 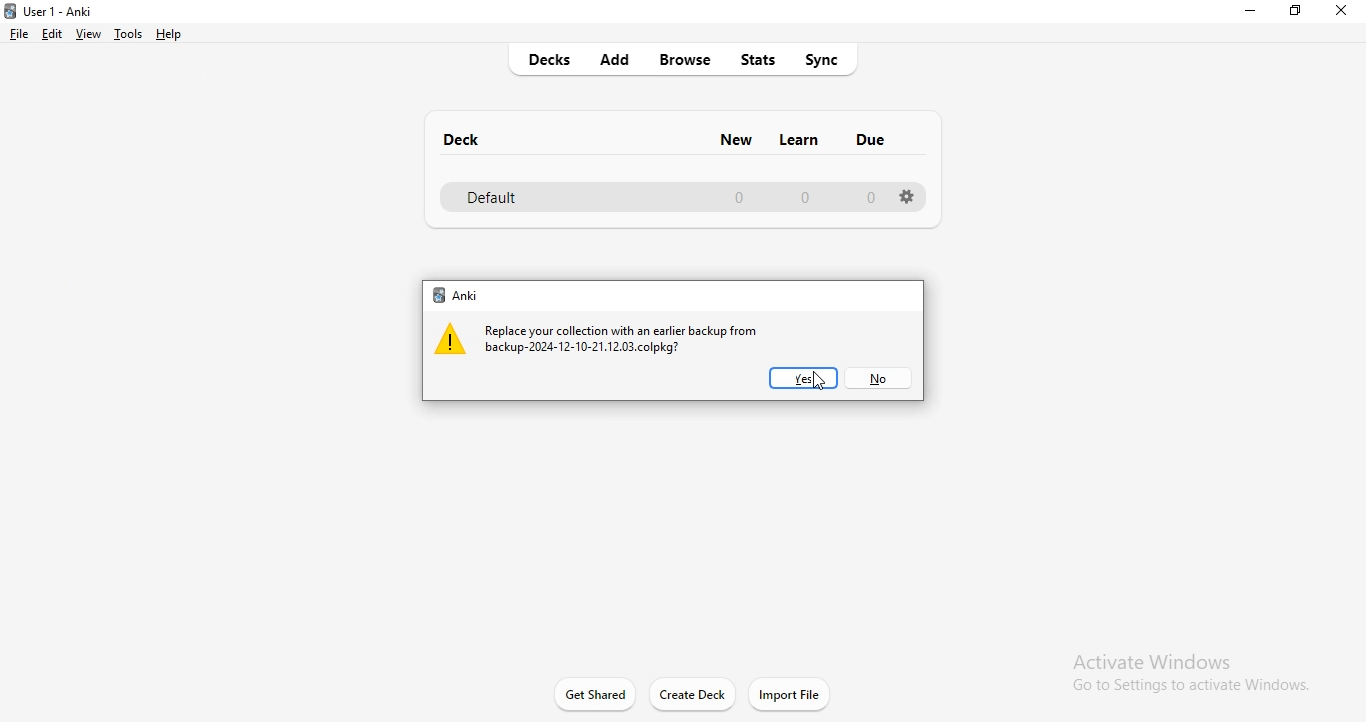 I want to click on Cursor, so click(x=816, y=379).